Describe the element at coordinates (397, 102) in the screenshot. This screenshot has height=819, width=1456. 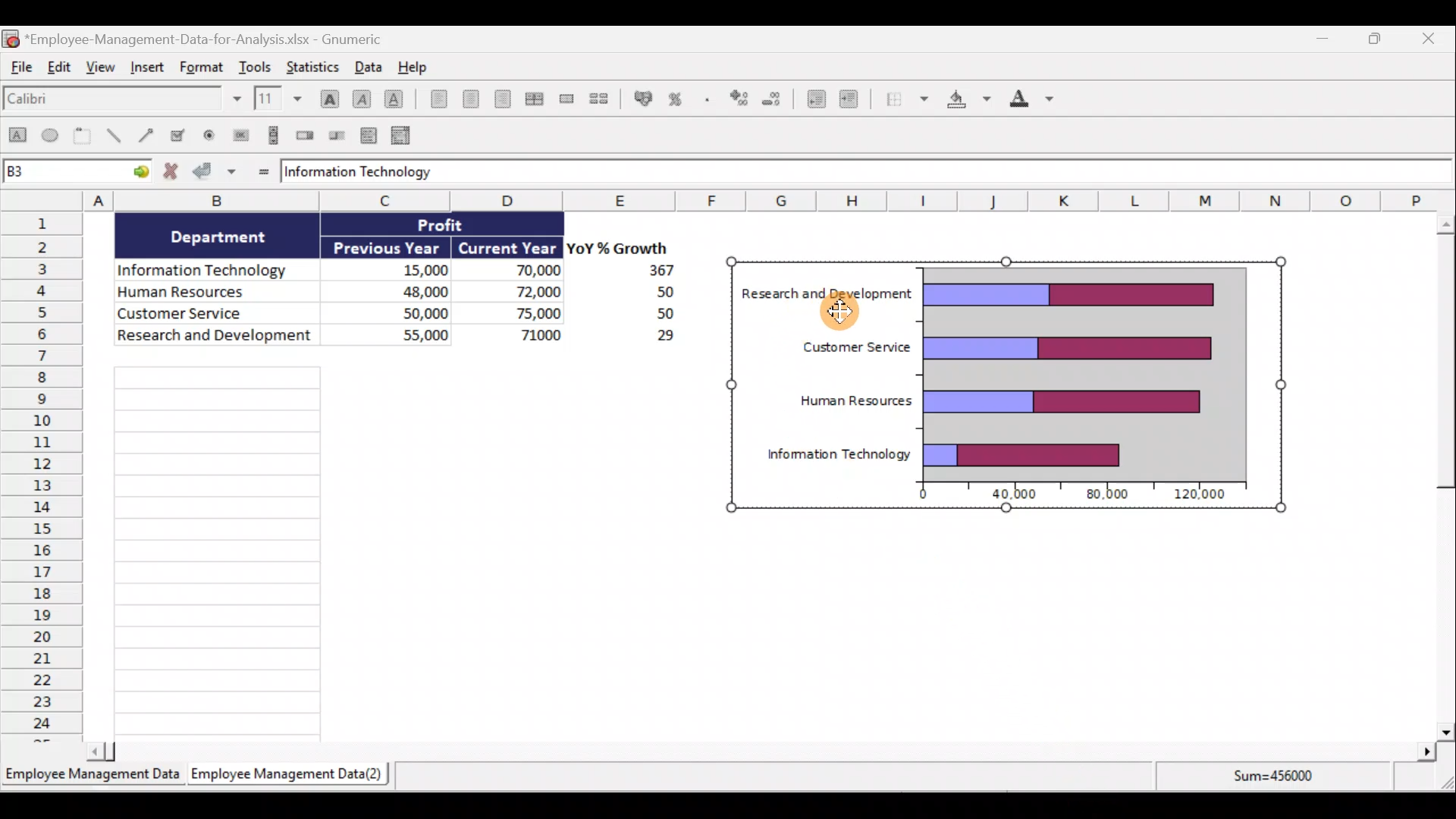
I see `Underline` at that location.